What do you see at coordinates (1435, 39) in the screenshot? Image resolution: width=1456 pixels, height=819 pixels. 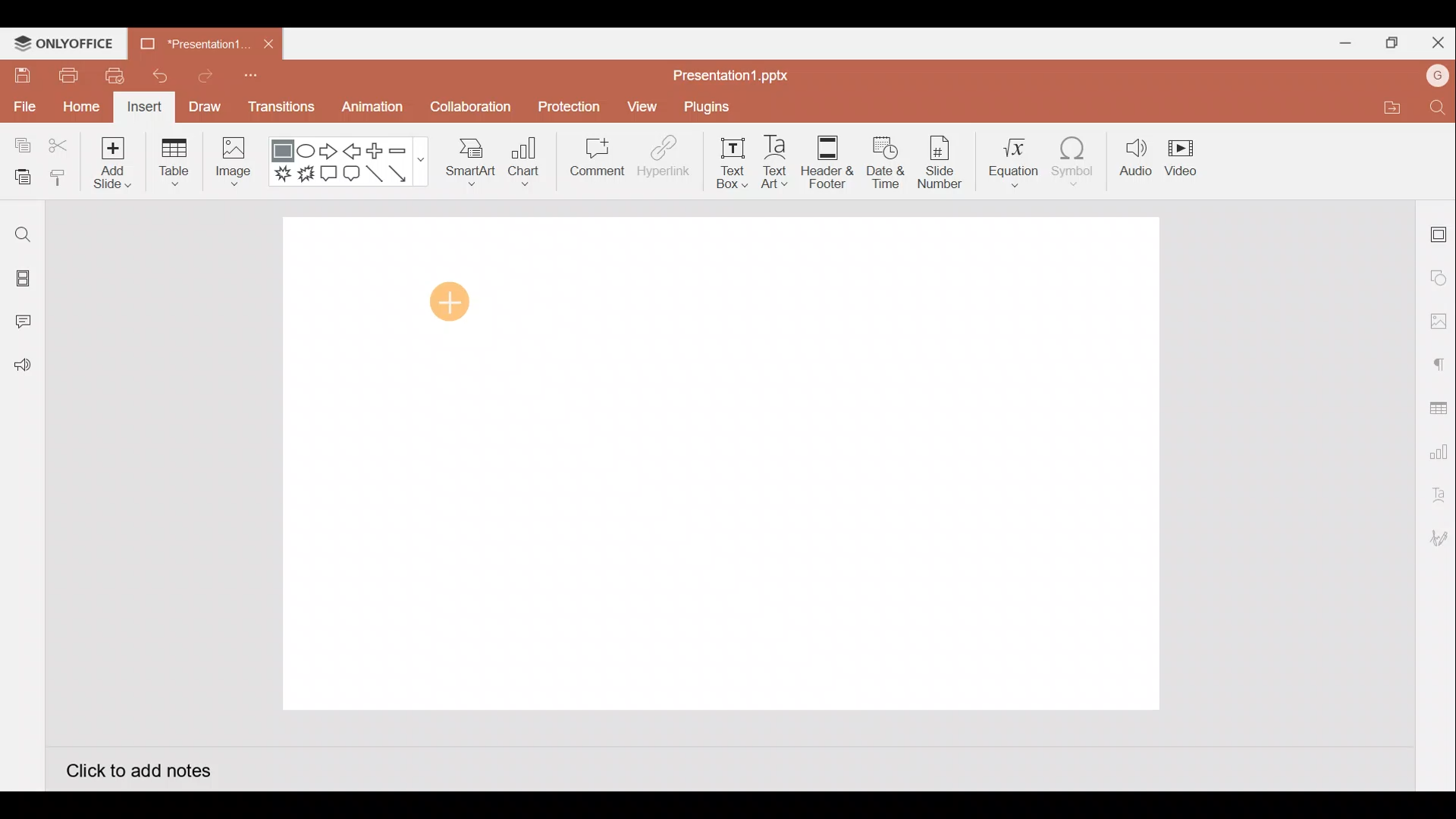 I see `Close` at bounding box center [1435, 39].